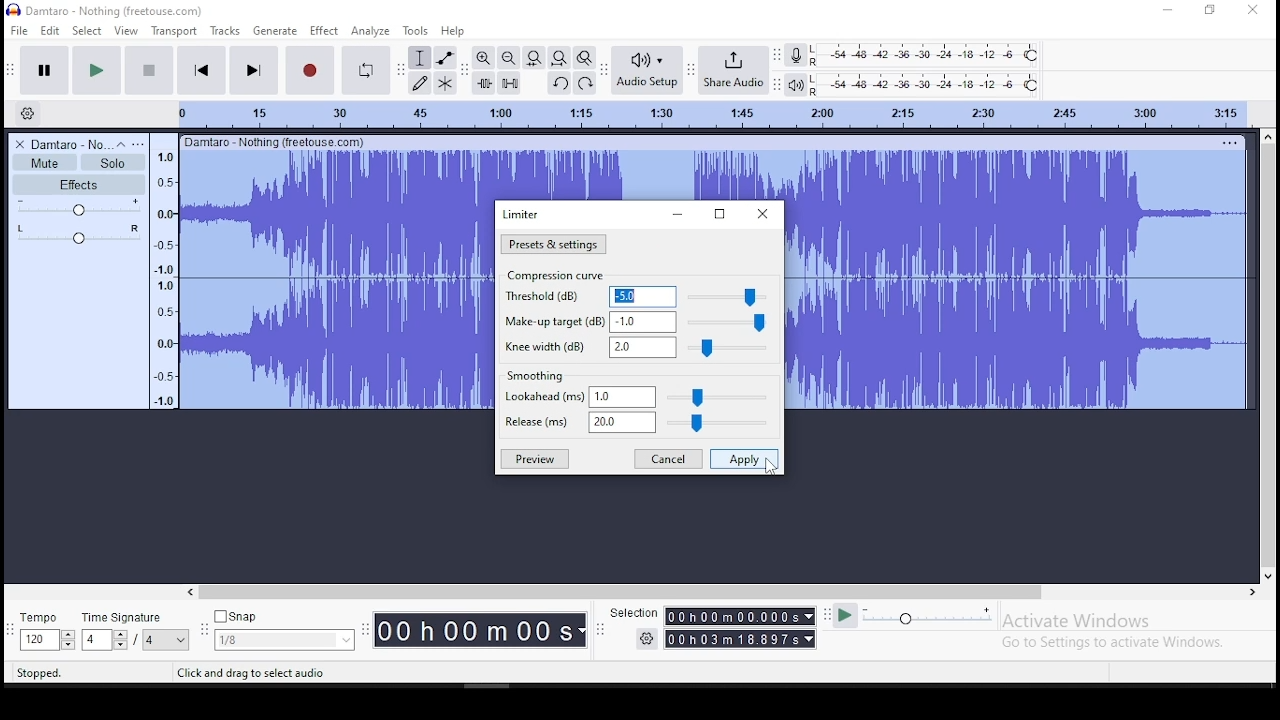 This screenshot has width=1280, height=720. What do you see at coordinates (681, 214) in the screenshot?
I see `minimize` at bounding box center [681, 214].